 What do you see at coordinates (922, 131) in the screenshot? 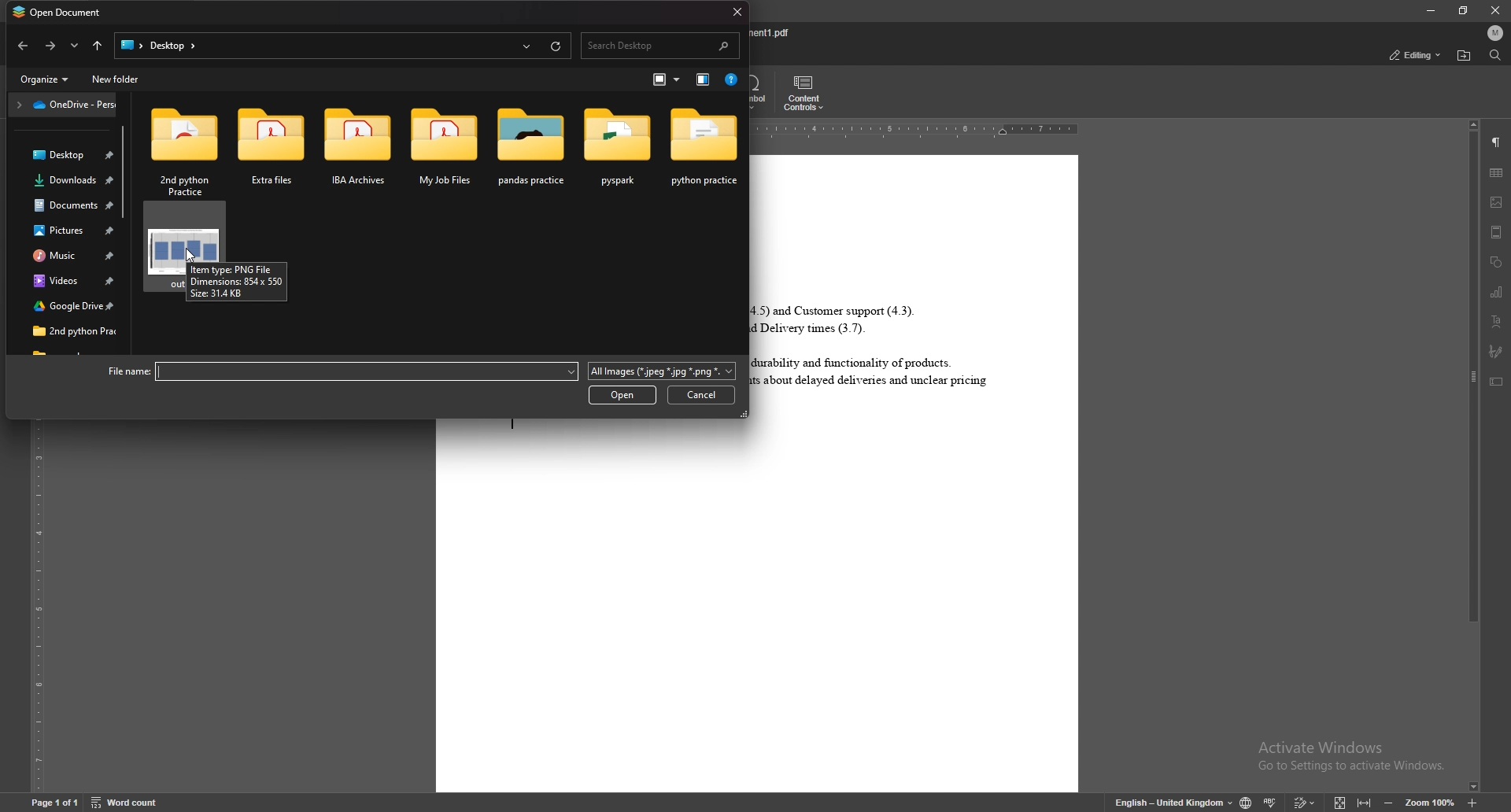
I see `horizontal scale` at bounding box center [922, 131].